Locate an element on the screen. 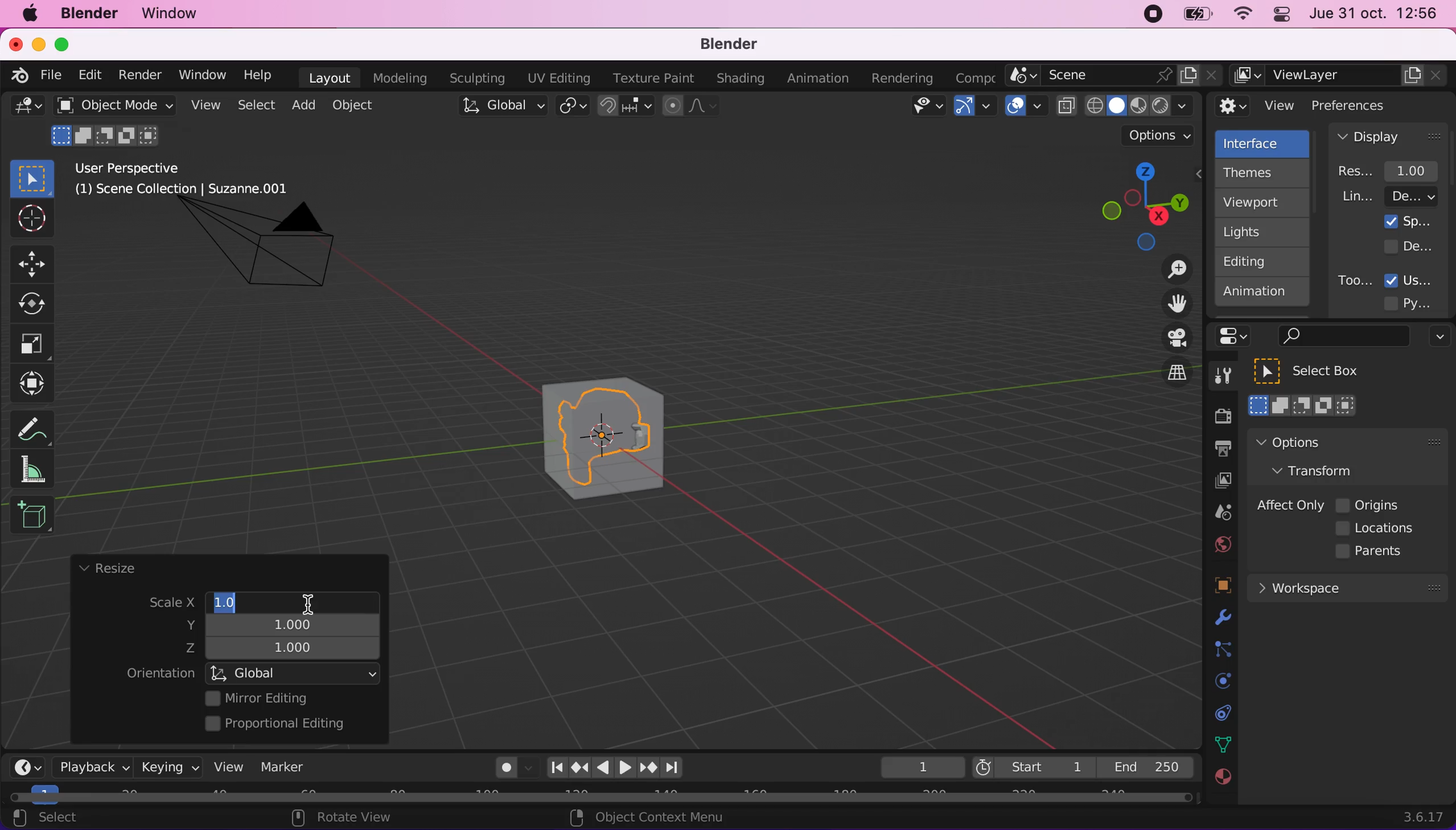 The image size is (1456, 830). global is located at coordinates (295, 673).